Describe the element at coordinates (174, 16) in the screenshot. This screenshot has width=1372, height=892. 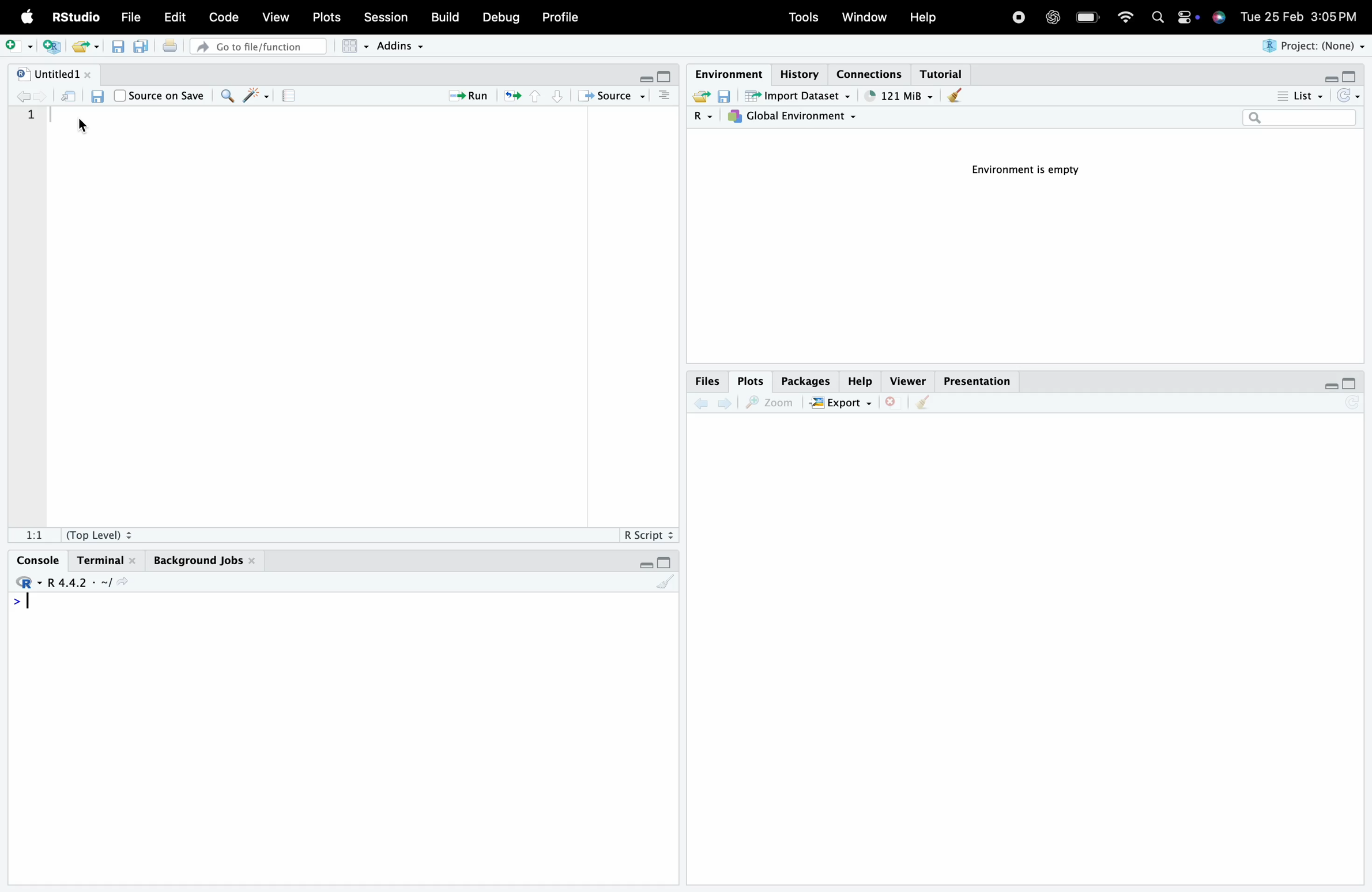
I see `Edit` at that location.